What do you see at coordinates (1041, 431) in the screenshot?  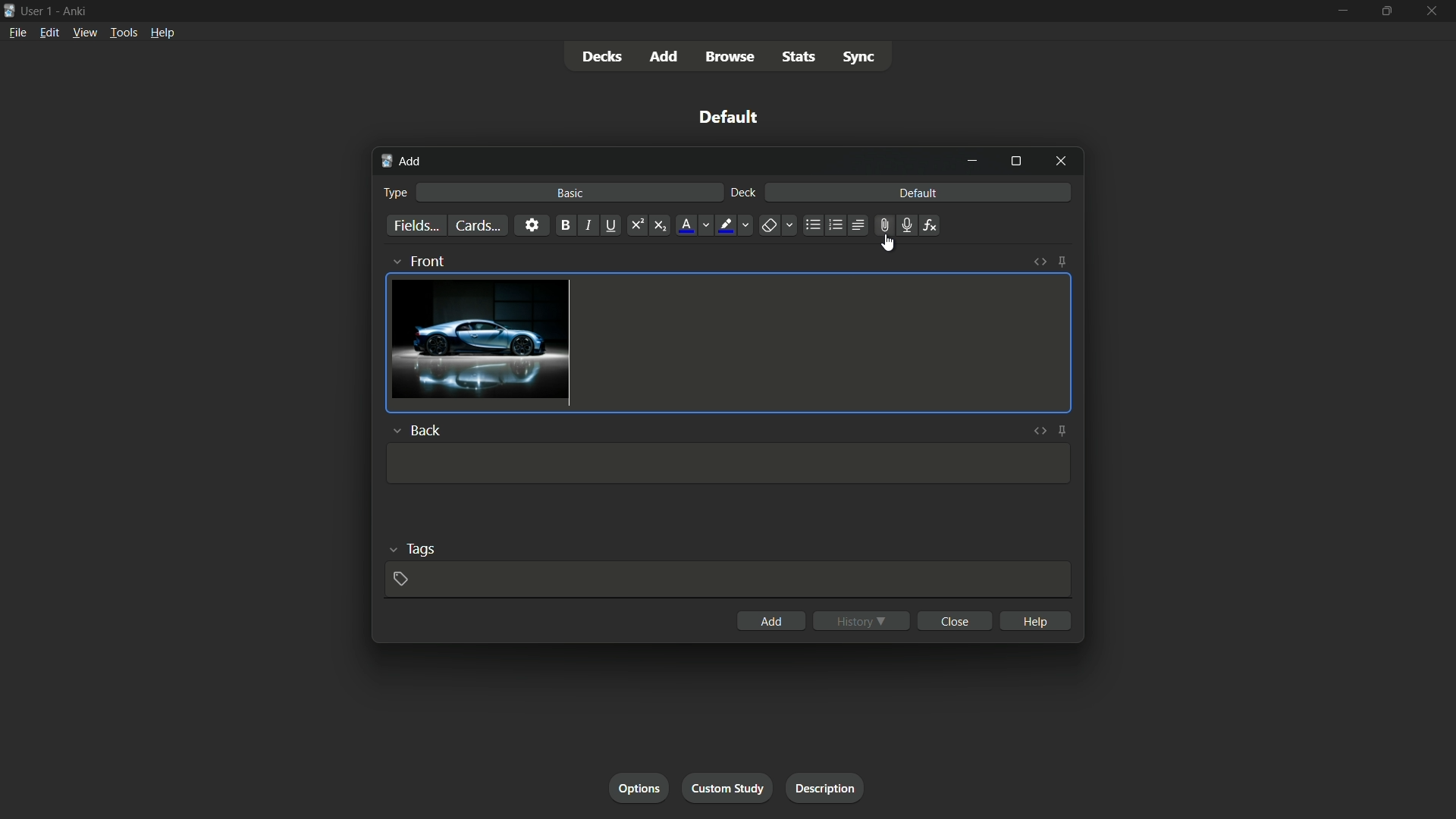 I see `toggle html editor` at bounding box center [1041, 431].